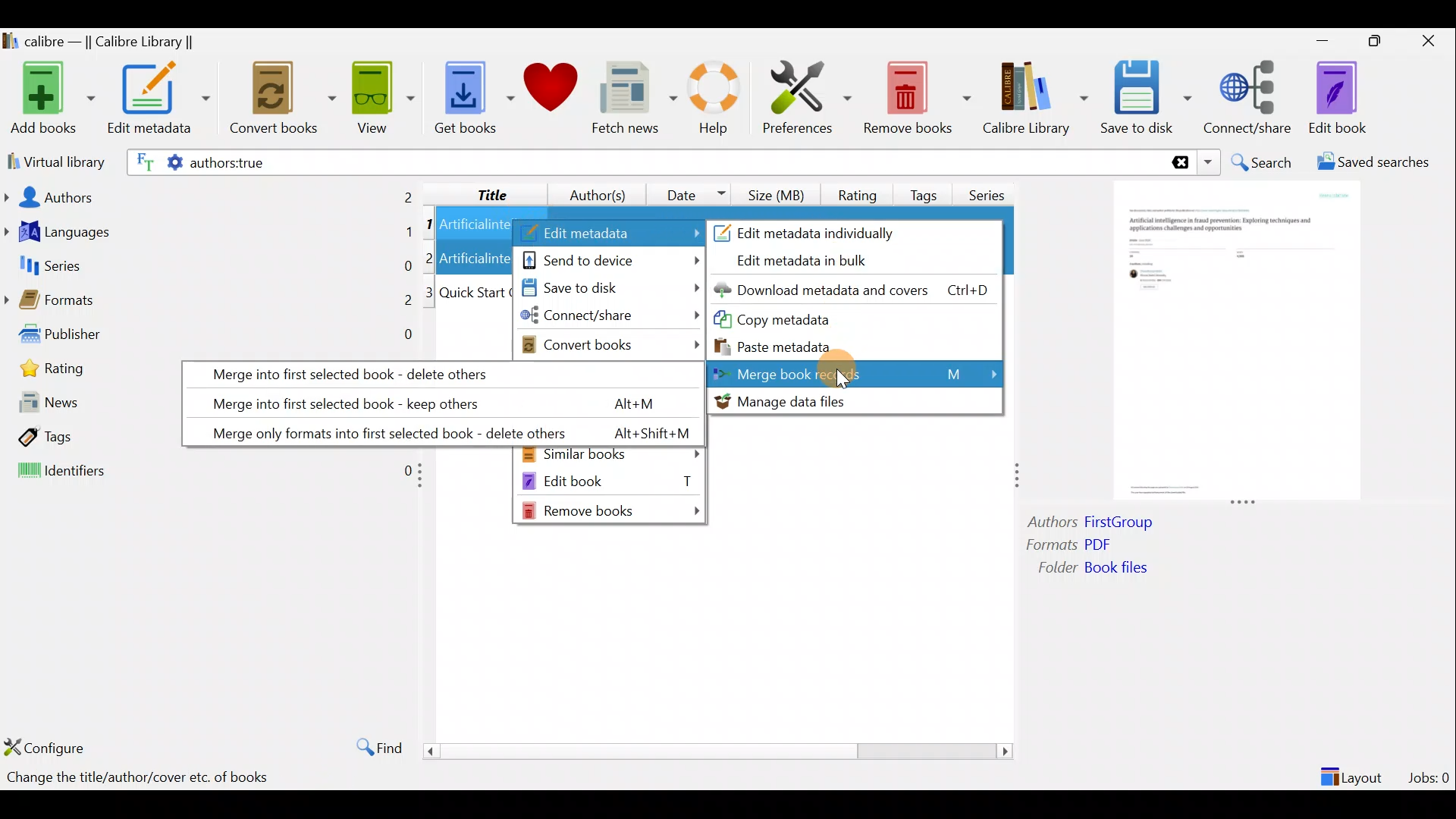 The height and width of the screenshot is (819, 1456). I want to click on Maximize, so click(1382, 42).